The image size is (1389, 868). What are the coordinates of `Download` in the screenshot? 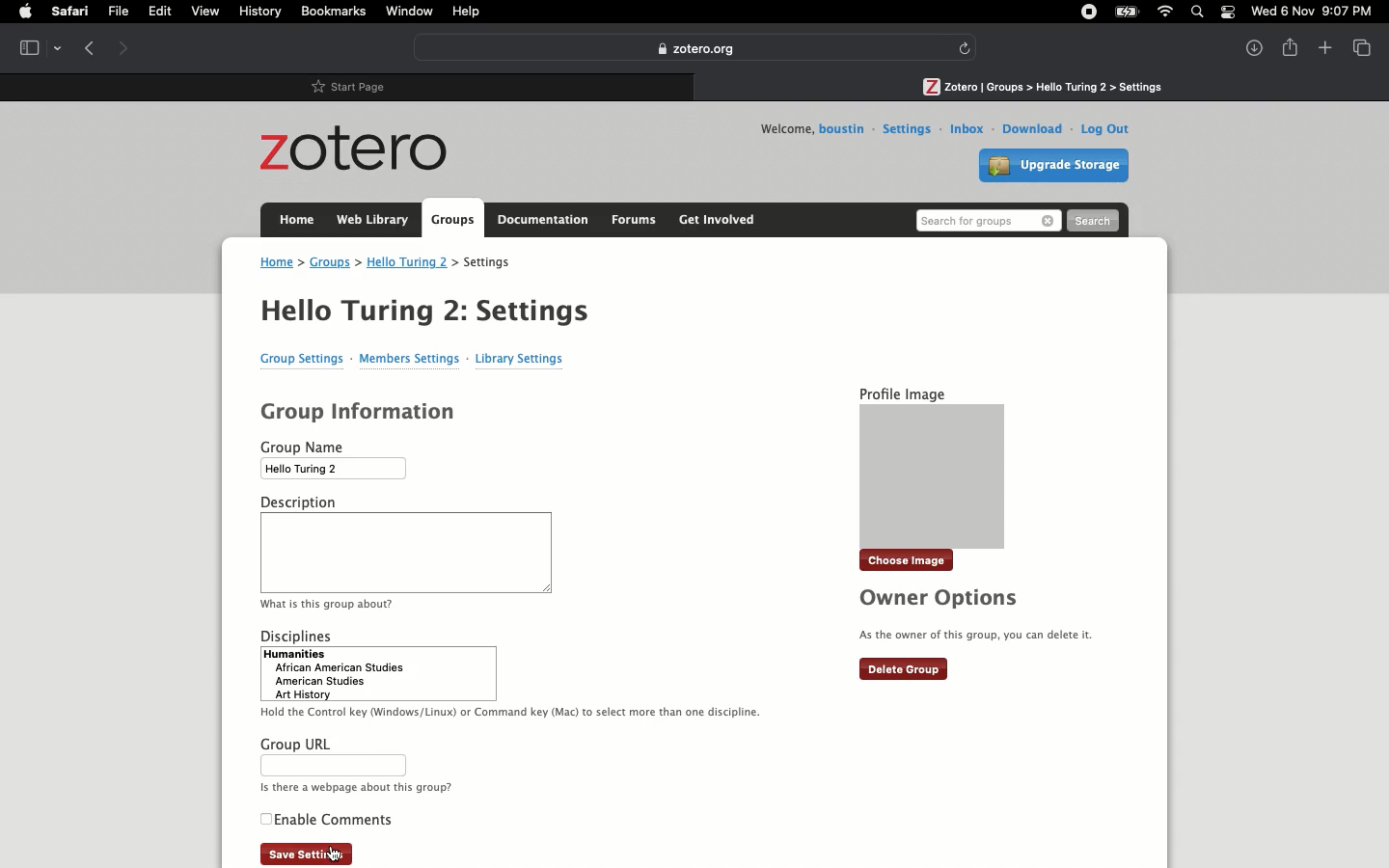 It's located at (1032, 128).